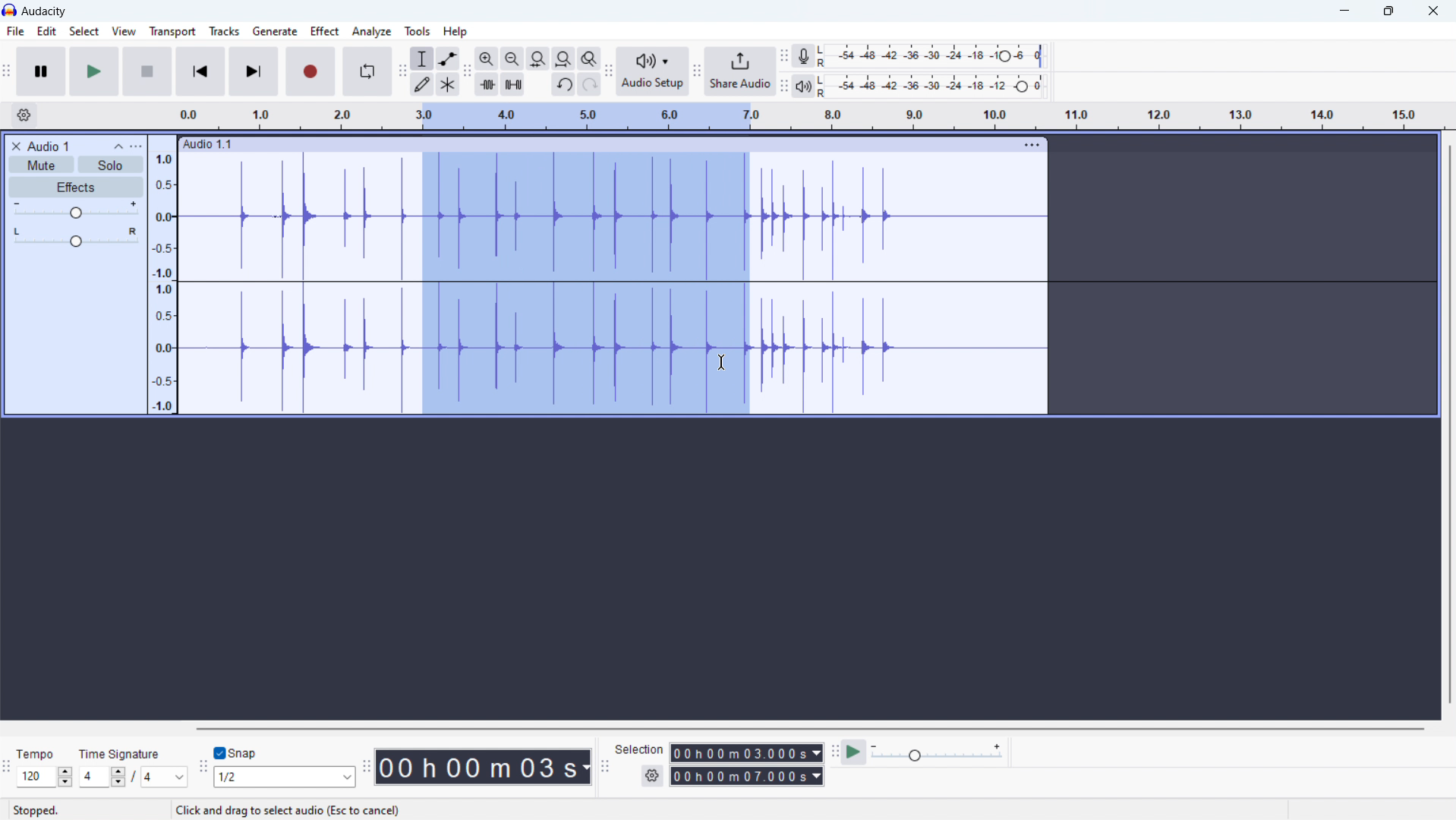  What do you see at coordinates (1387, 11) in the screenshot?
I see `maximize` at bounding box center [1387, 11].